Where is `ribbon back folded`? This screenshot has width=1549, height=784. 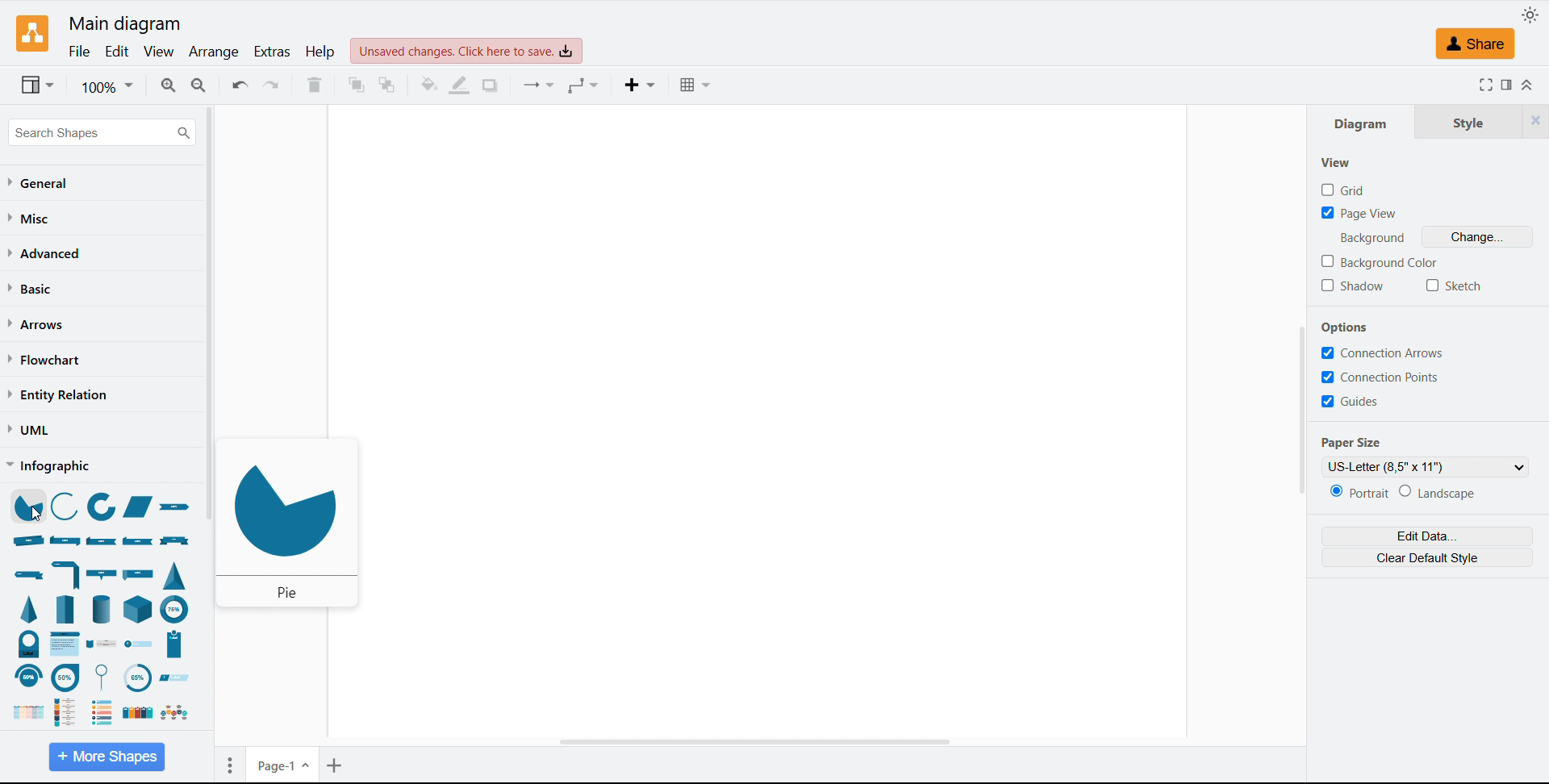 ribbon back folded is located at coordinates (140, 542).